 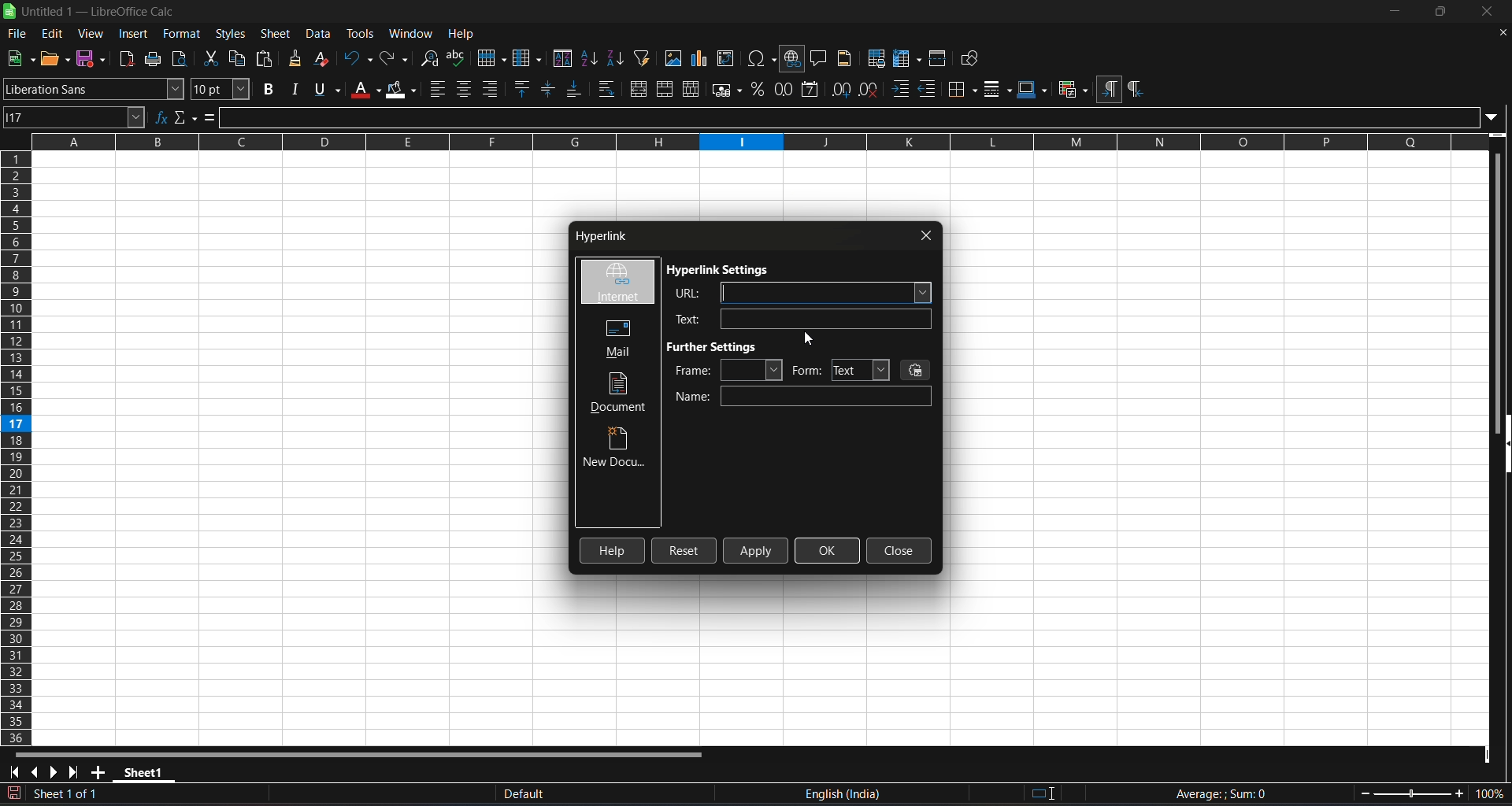 What do you see at coordinates (128, 58) in the screenshot?
I see `export directly as pdf` at bounding box center [128, 58].